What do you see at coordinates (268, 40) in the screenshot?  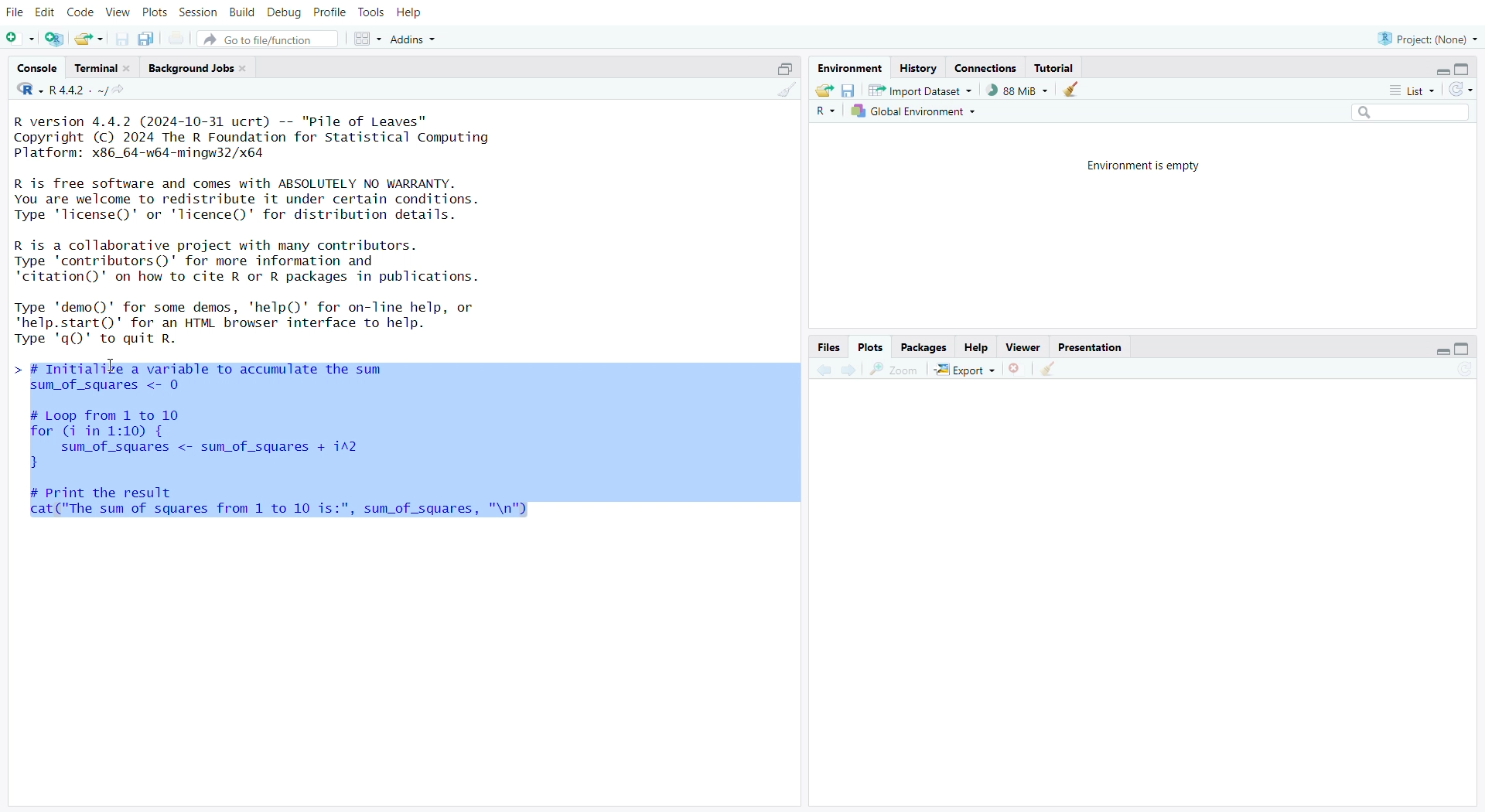 I see `go to file/function` at bounding box center [268, 40].